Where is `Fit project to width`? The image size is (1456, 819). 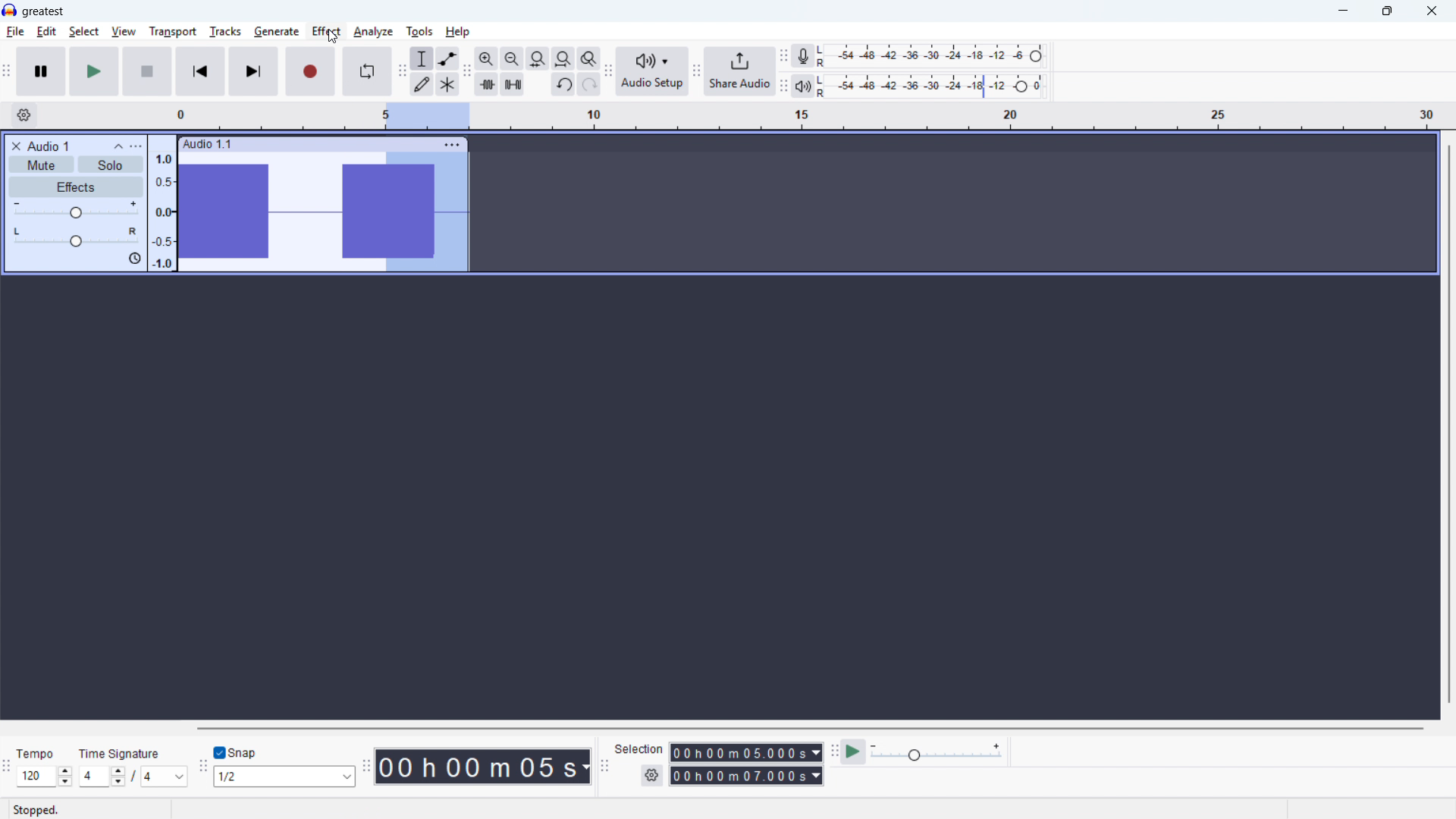
Fit project to width is located at coordinates (563, 59).